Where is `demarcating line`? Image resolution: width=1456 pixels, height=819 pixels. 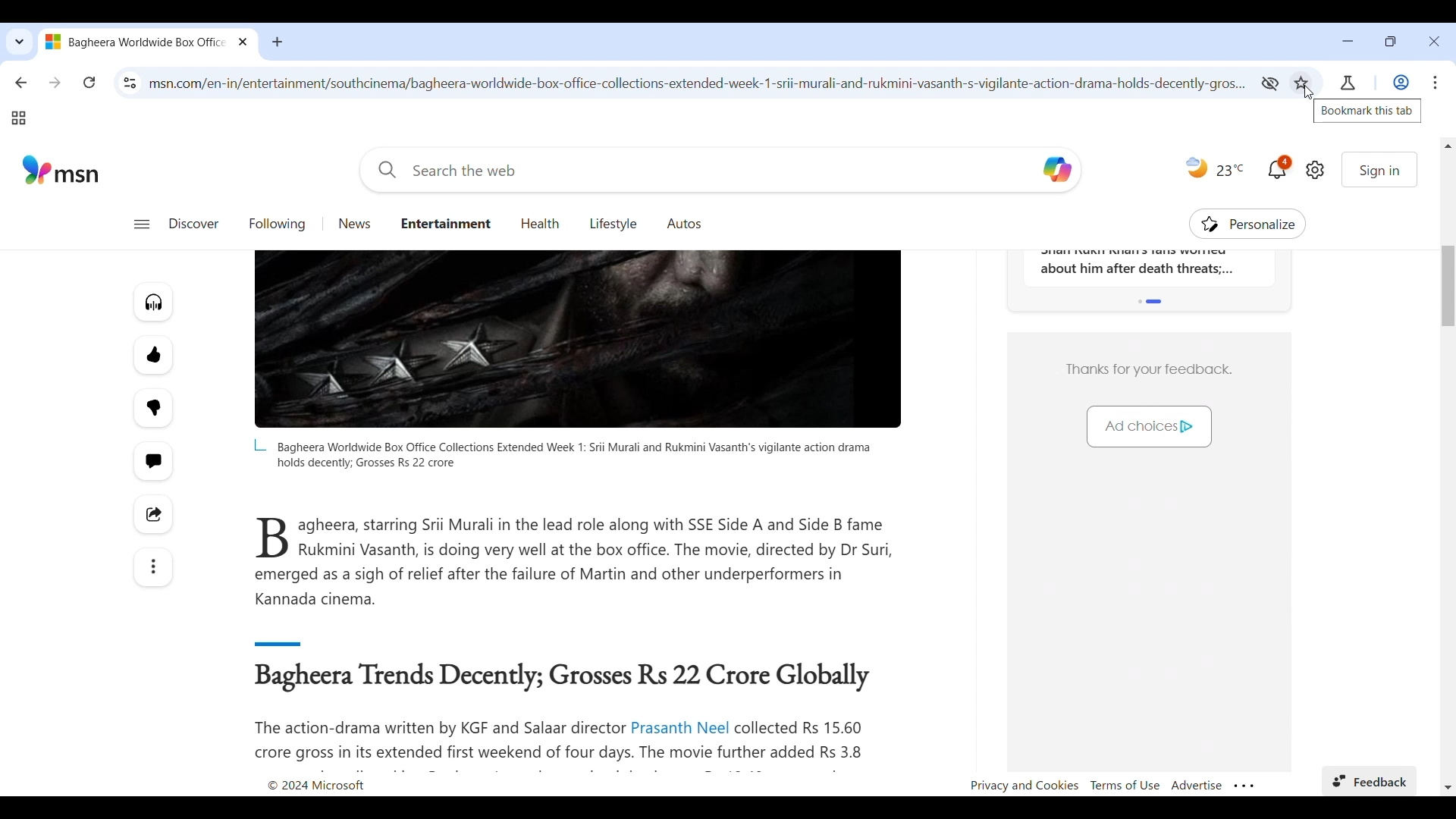 demarcating line is located at coordinates (308, 641).